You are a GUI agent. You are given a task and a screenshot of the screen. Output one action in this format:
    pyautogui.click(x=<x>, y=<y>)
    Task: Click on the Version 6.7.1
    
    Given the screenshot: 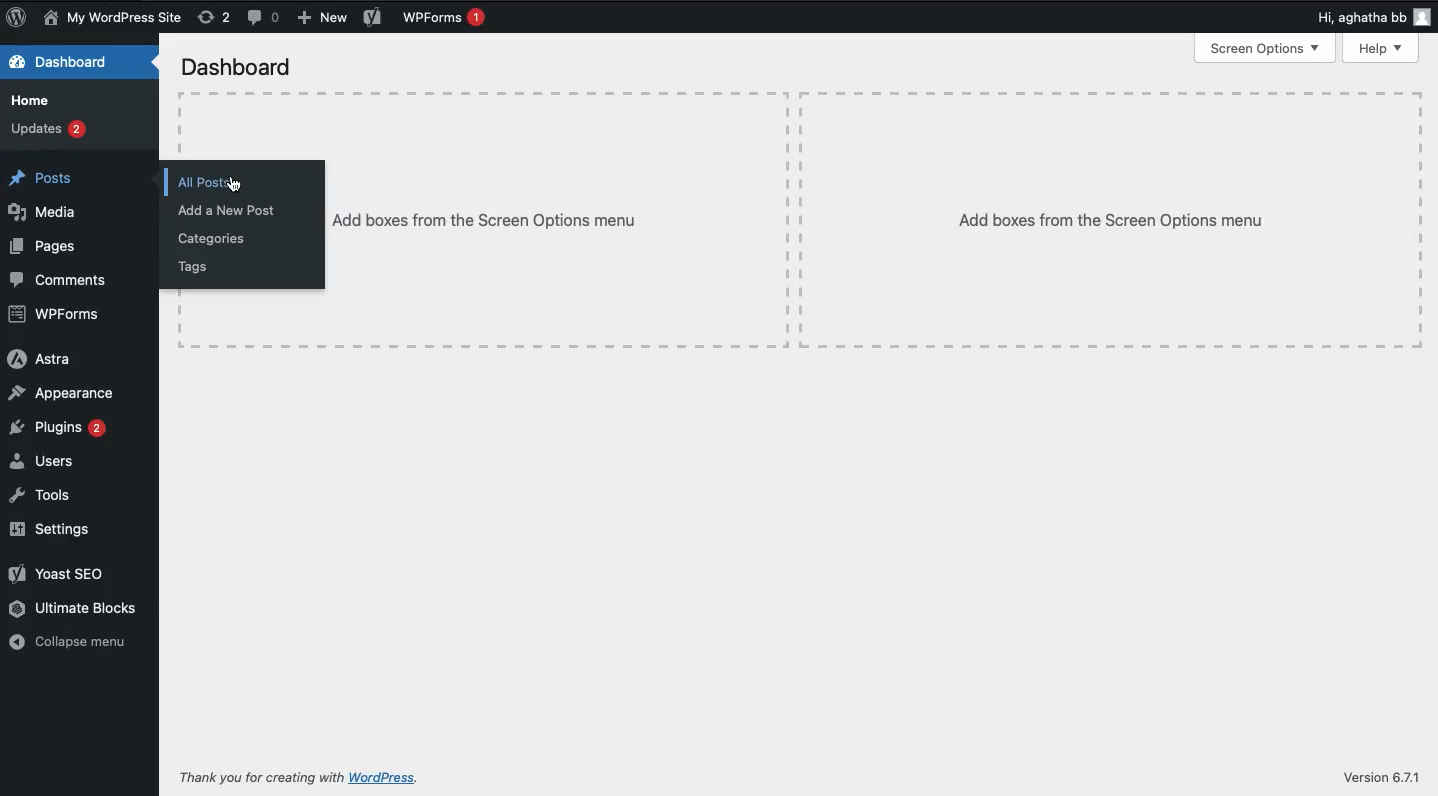 What is the action you would take?
    pyautogui.click(x=1382, y=778)
    